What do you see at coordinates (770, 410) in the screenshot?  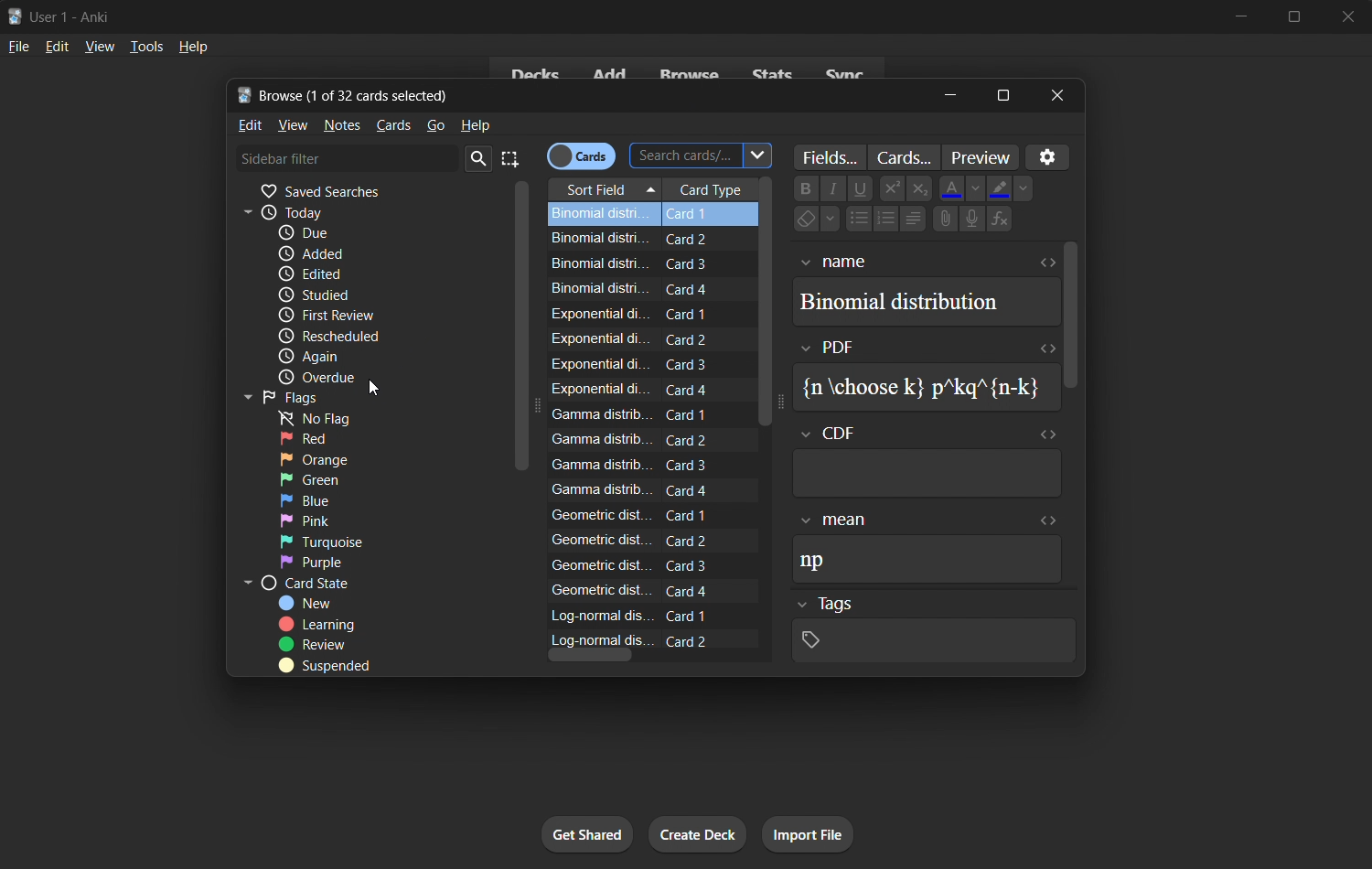 I see `scroll bar` at bounding box center [770, 410].